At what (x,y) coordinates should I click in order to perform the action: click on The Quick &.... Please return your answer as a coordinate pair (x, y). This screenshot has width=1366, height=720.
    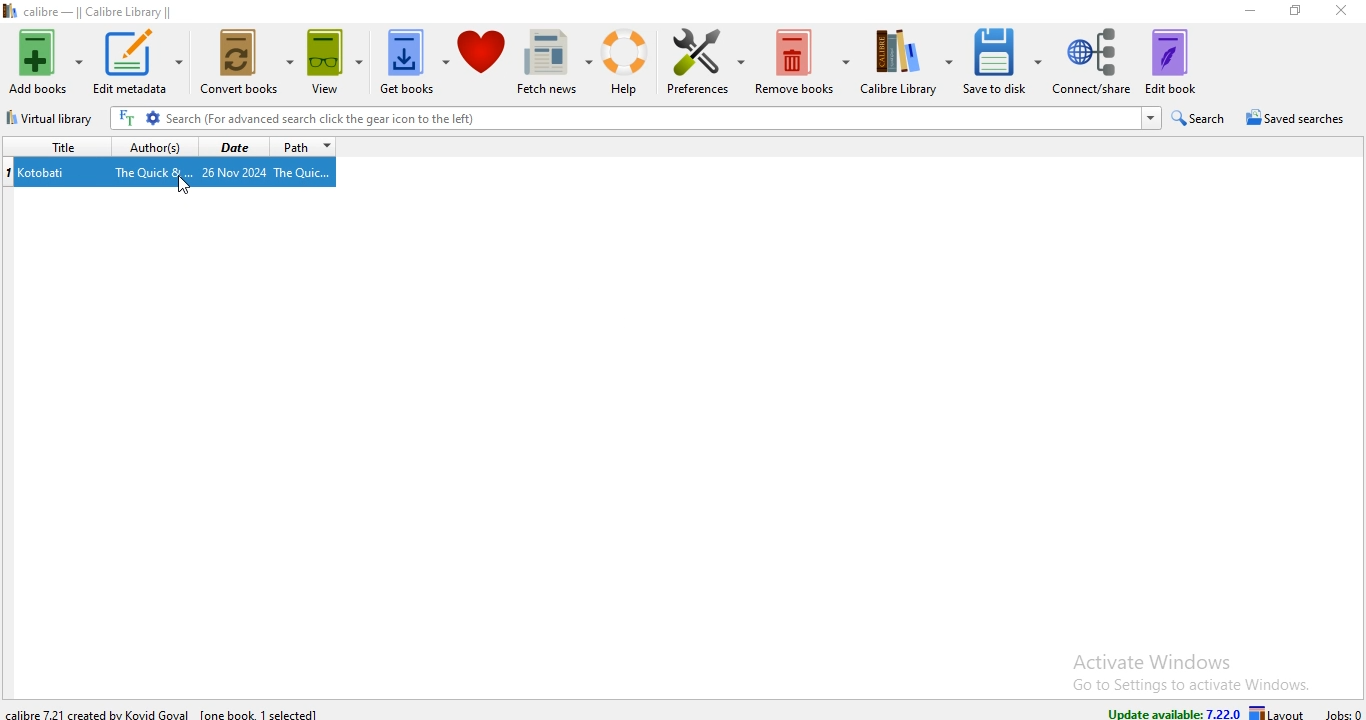
    Looking at the image, I should click on (152, 173).